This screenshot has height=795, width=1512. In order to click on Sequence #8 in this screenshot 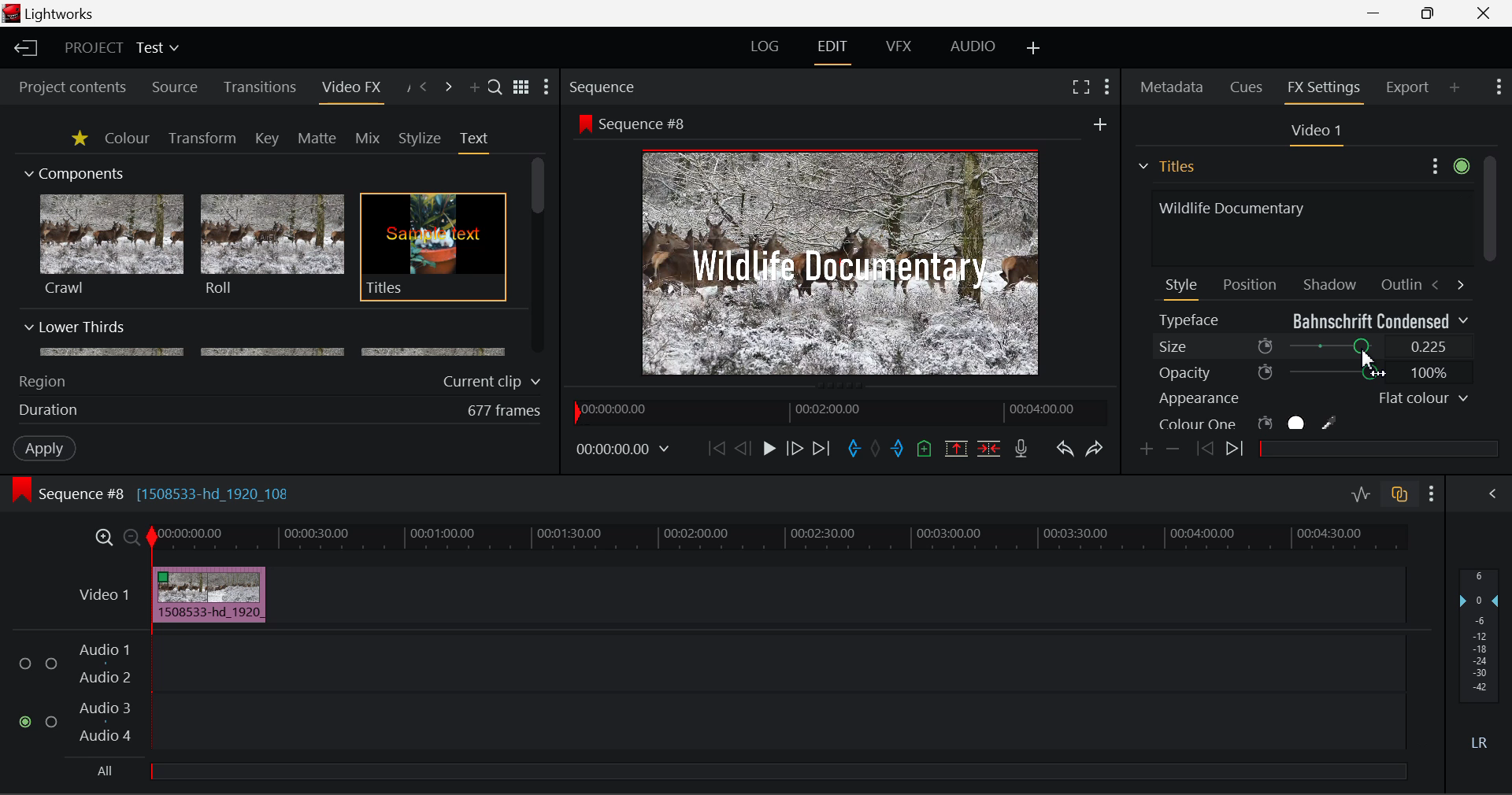, I will do `click(649, 124)`.